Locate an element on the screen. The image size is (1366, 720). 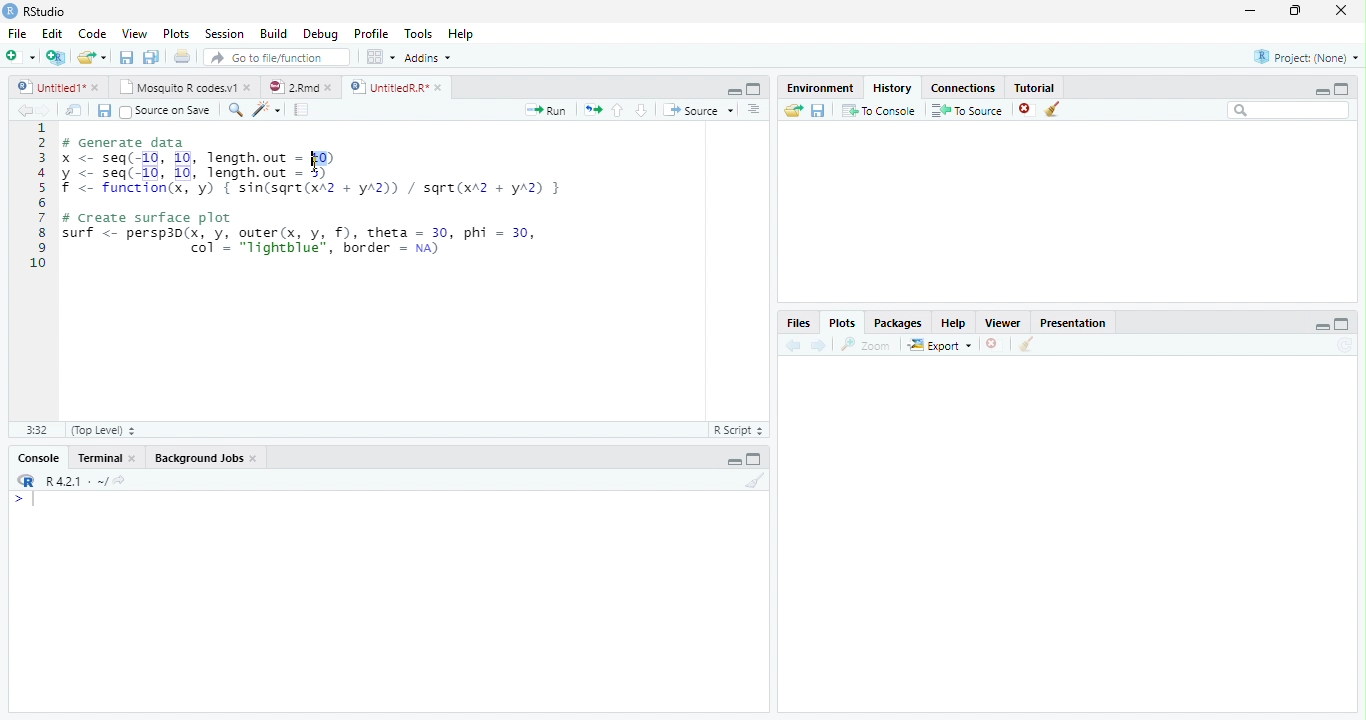
Compile Report is located at coordinates (301, 109).